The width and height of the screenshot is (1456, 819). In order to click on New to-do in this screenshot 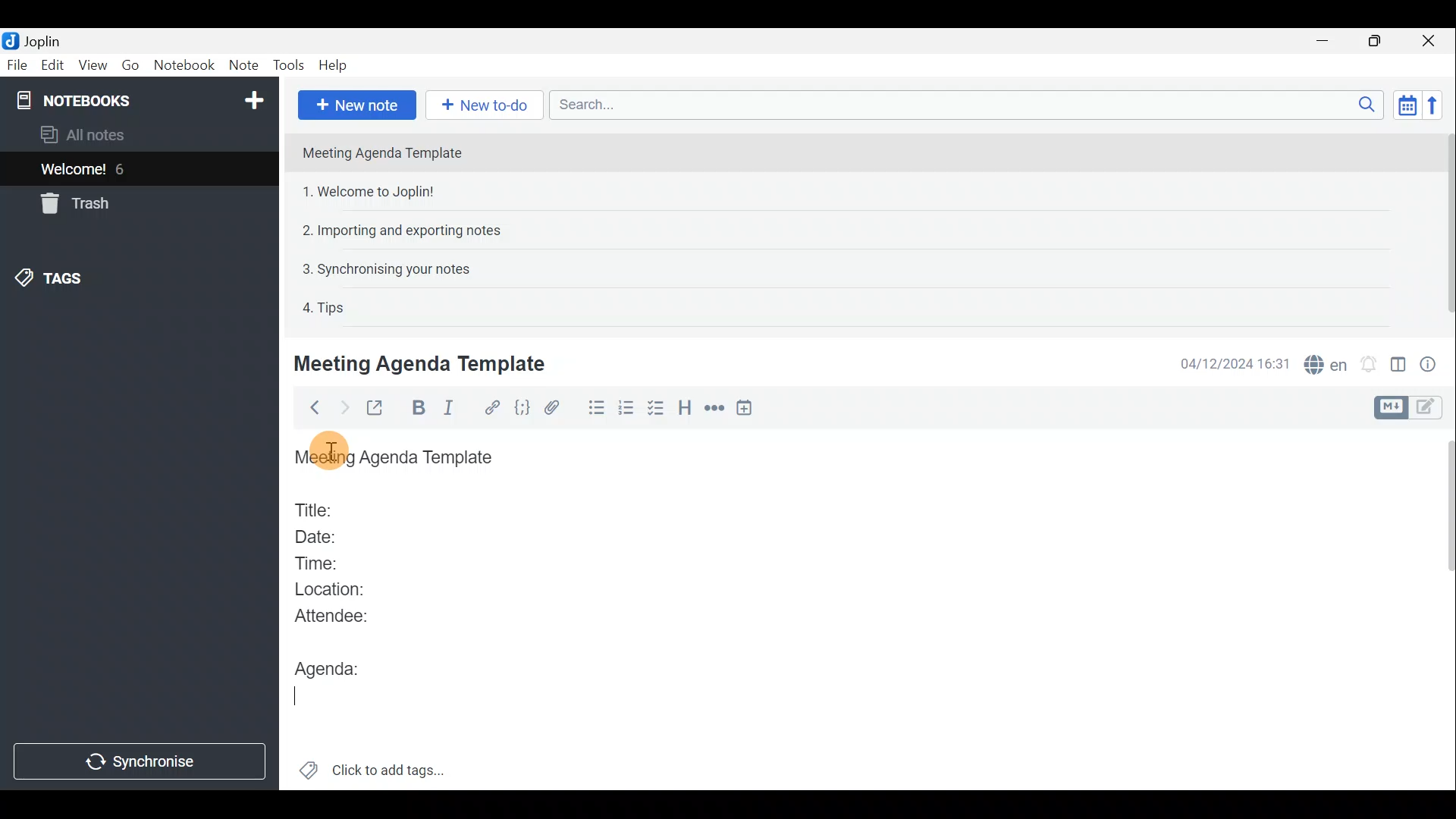, I will do `click(482, 104)`.